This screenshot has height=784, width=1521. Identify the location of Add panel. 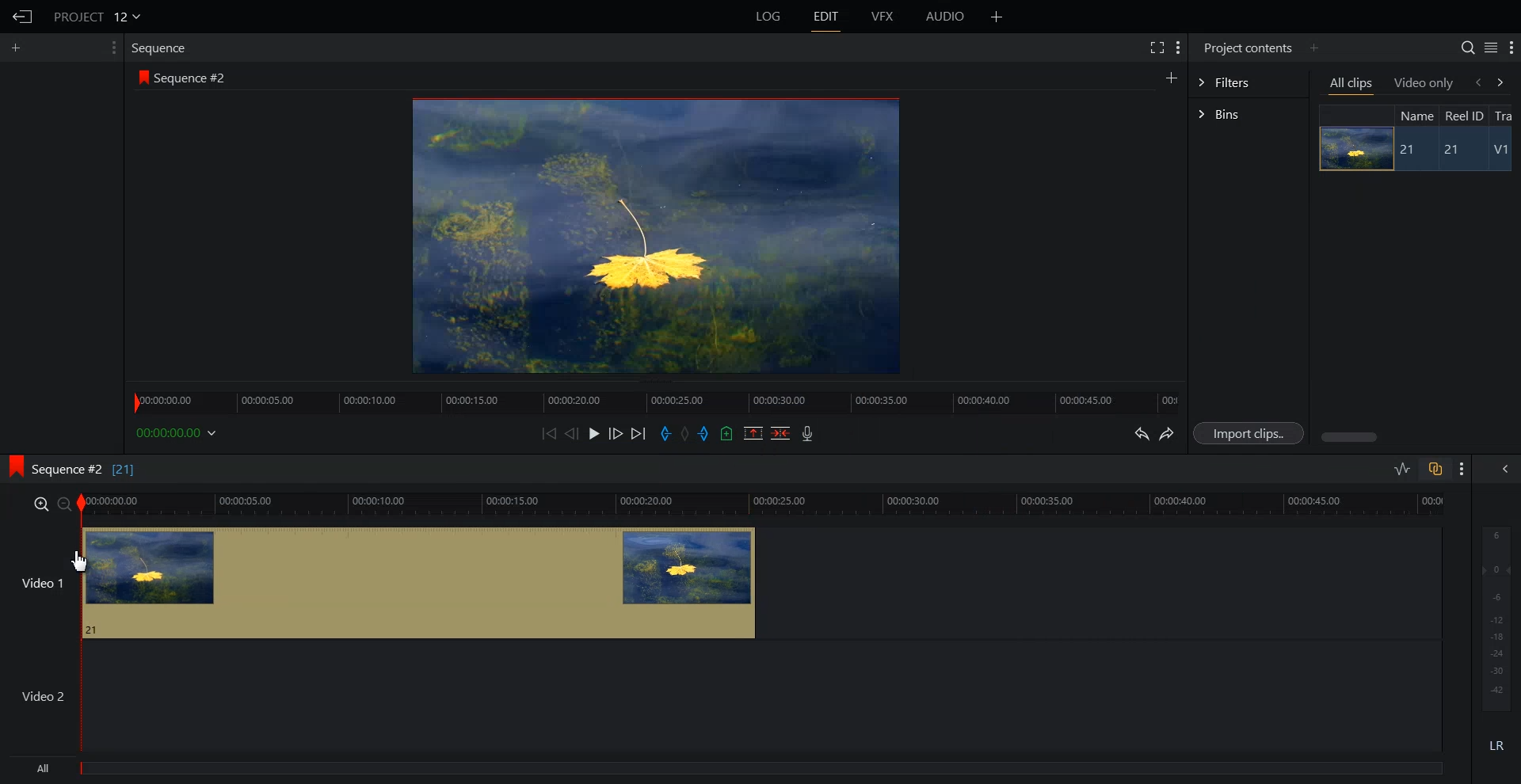
(20, 48).